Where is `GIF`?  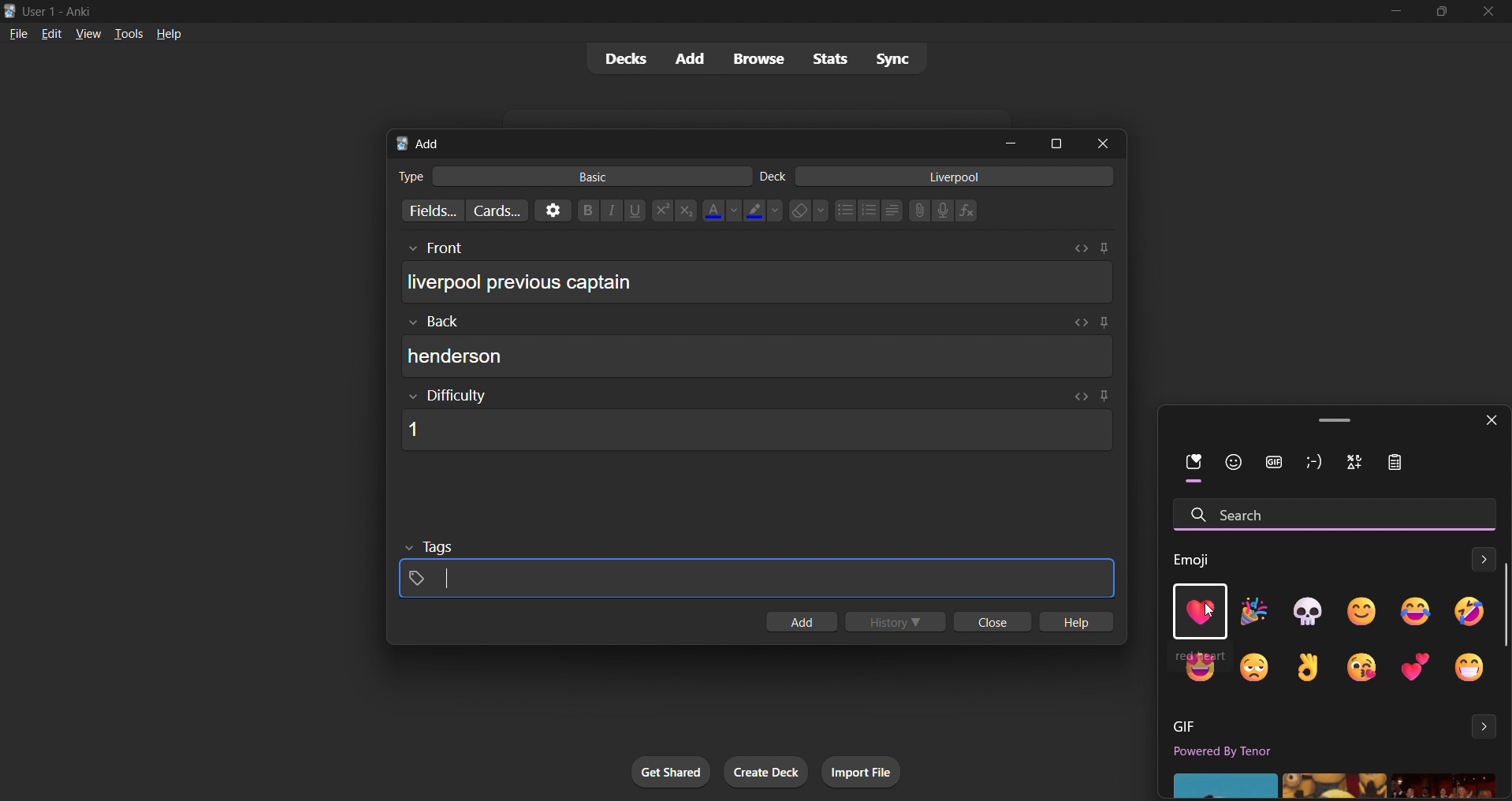 GIF is located at coordinates (1187, 727).